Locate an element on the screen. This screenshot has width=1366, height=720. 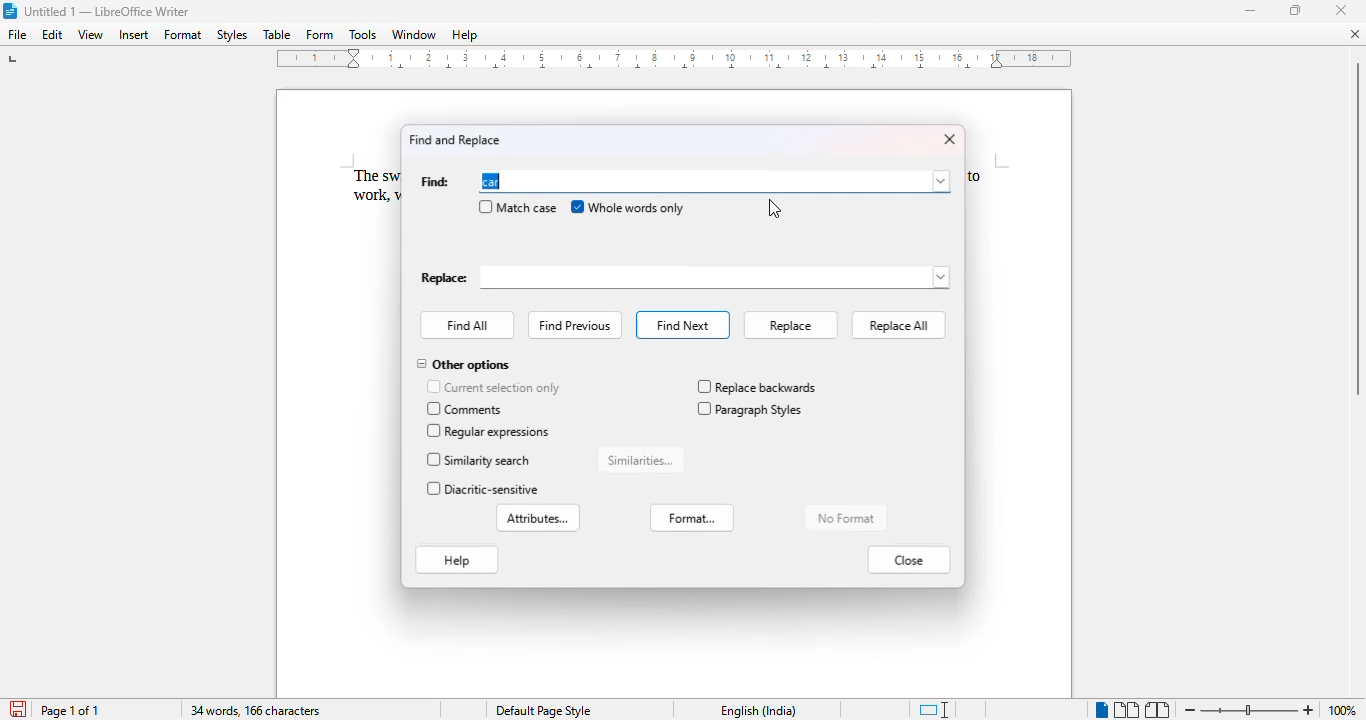
find and replace is located at coordinates (454, 139).